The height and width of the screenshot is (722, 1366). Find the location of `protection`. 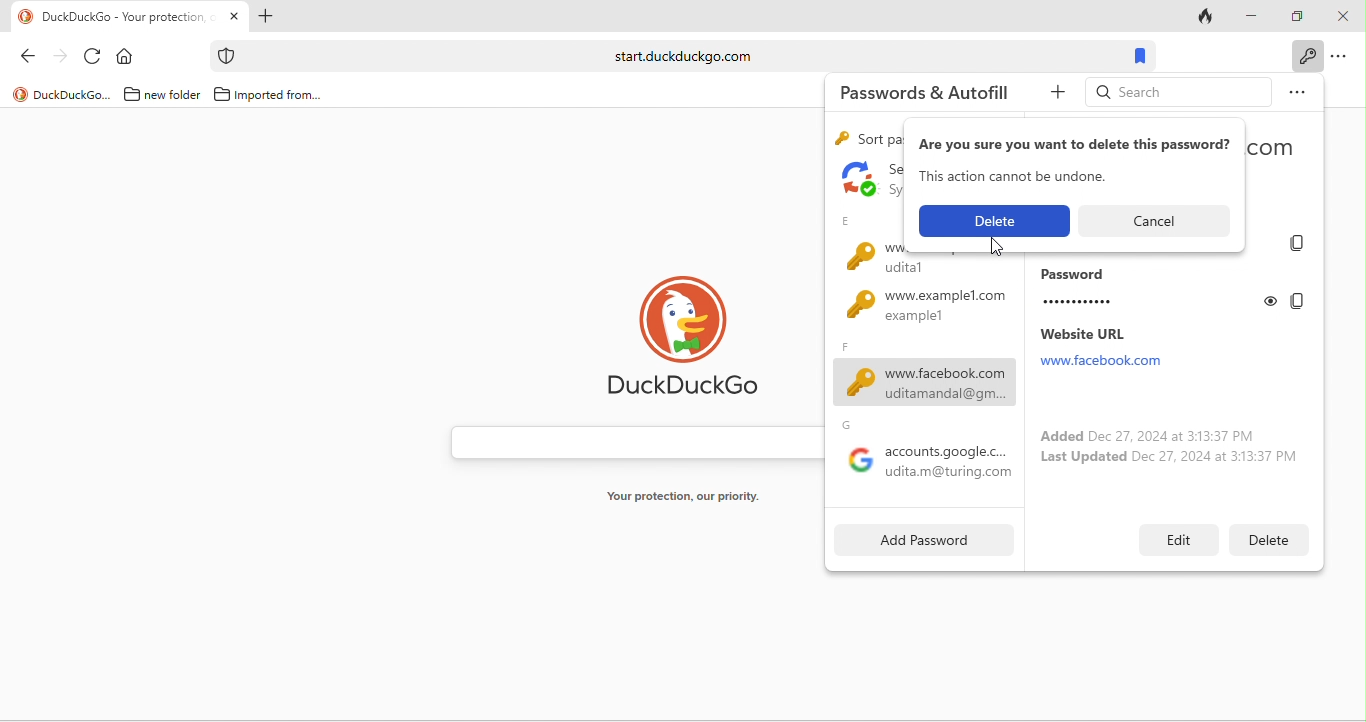

protection is located at coordinates (225, 56).